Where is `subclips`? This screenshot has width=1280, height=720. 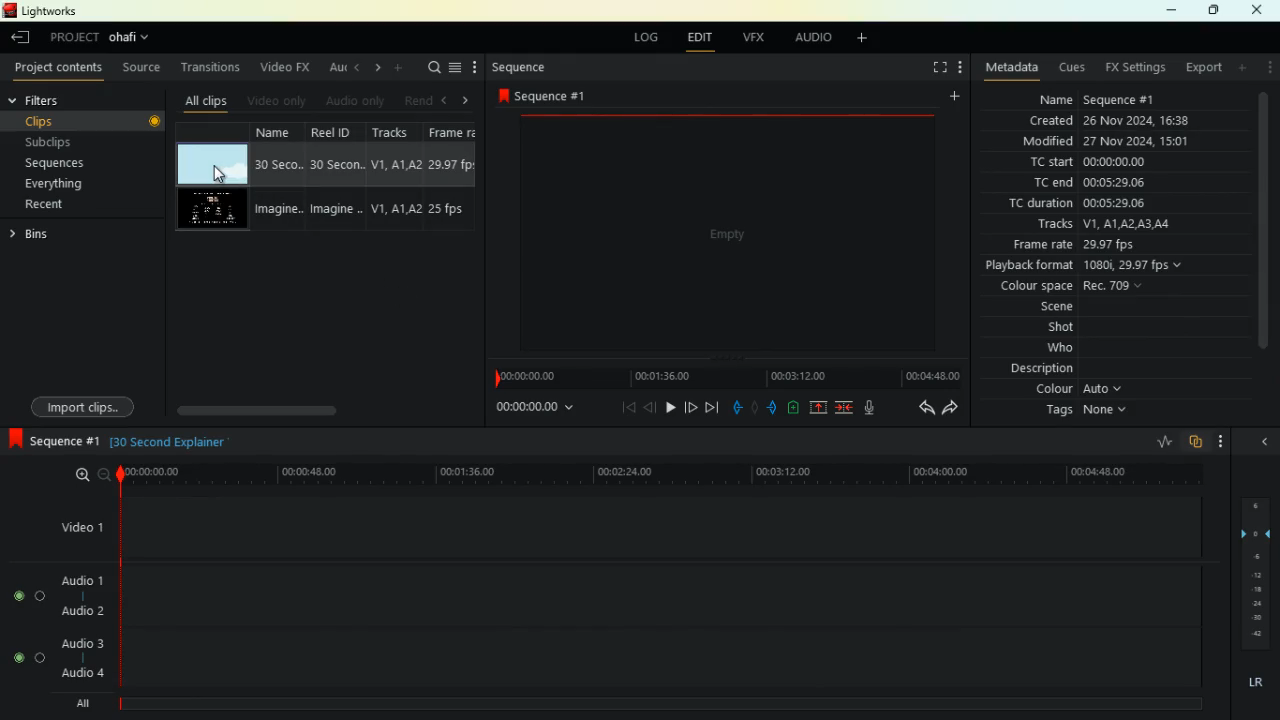 subclips is located at coordinates (64, 144).